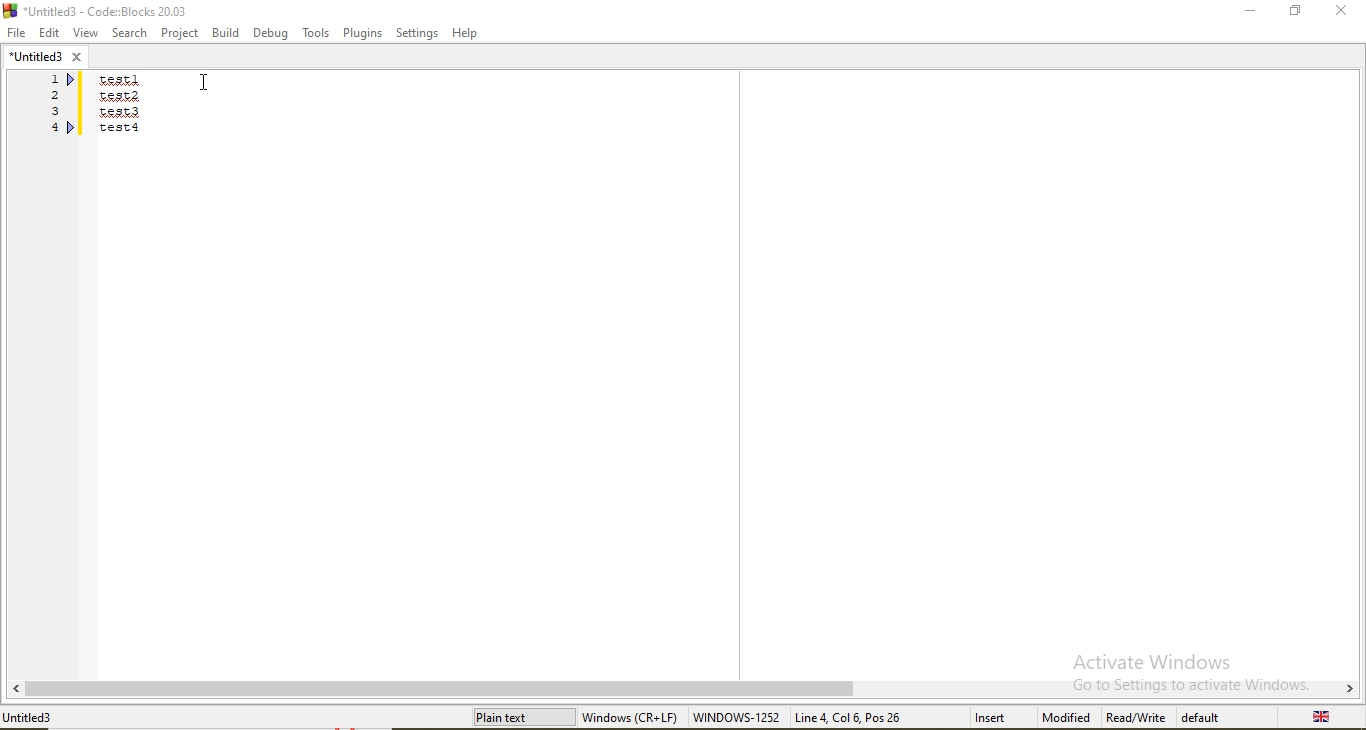 This screenshot has width=1366, height=730. Describe the element at coordinates (73, 80) in the screenshot. I see `indicator beside 1` at that location.